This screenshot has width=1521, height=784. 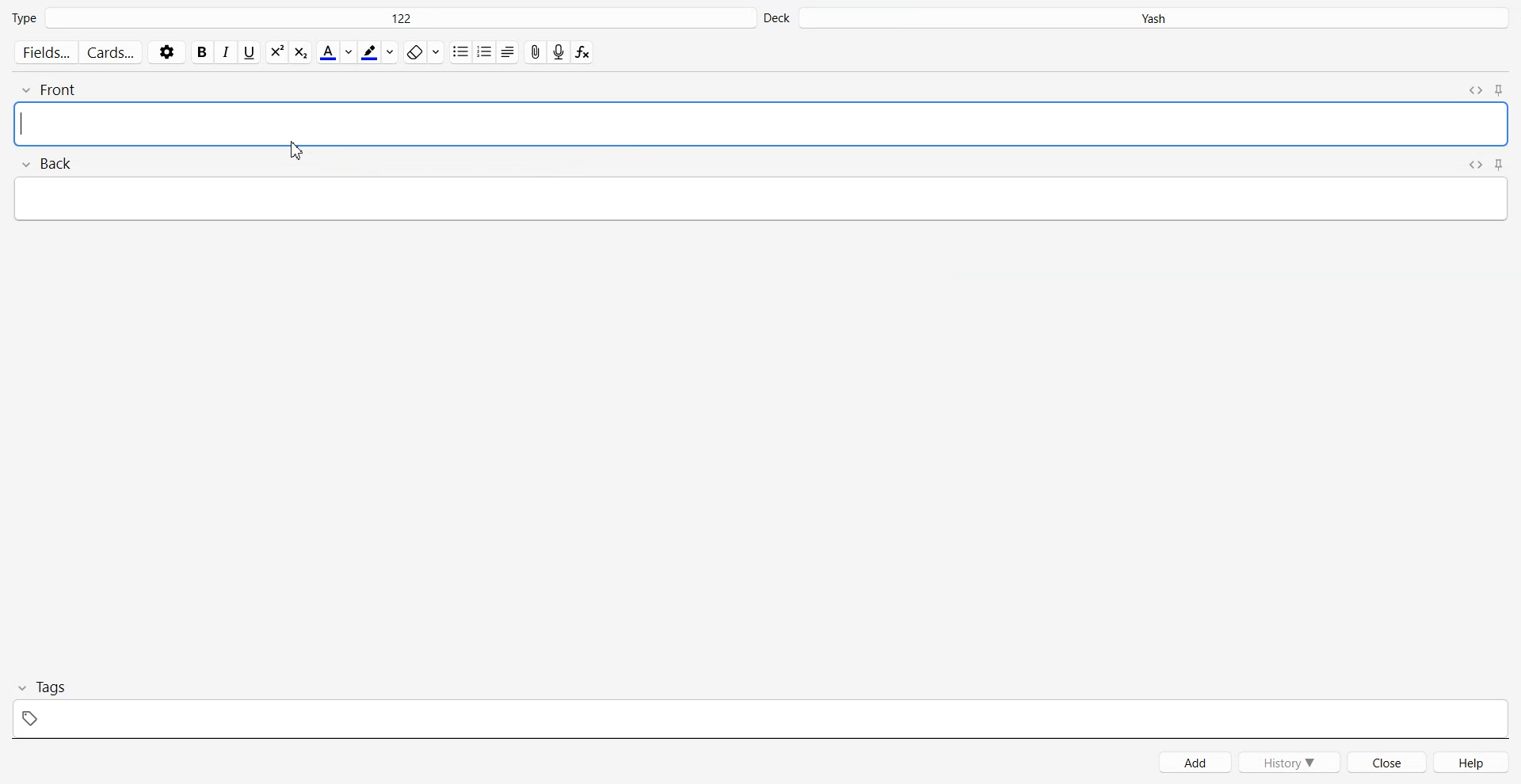 What do you see at coordinates (583, 52) in the screenshot?
I see `Equation` at bounding box center [583, 52].